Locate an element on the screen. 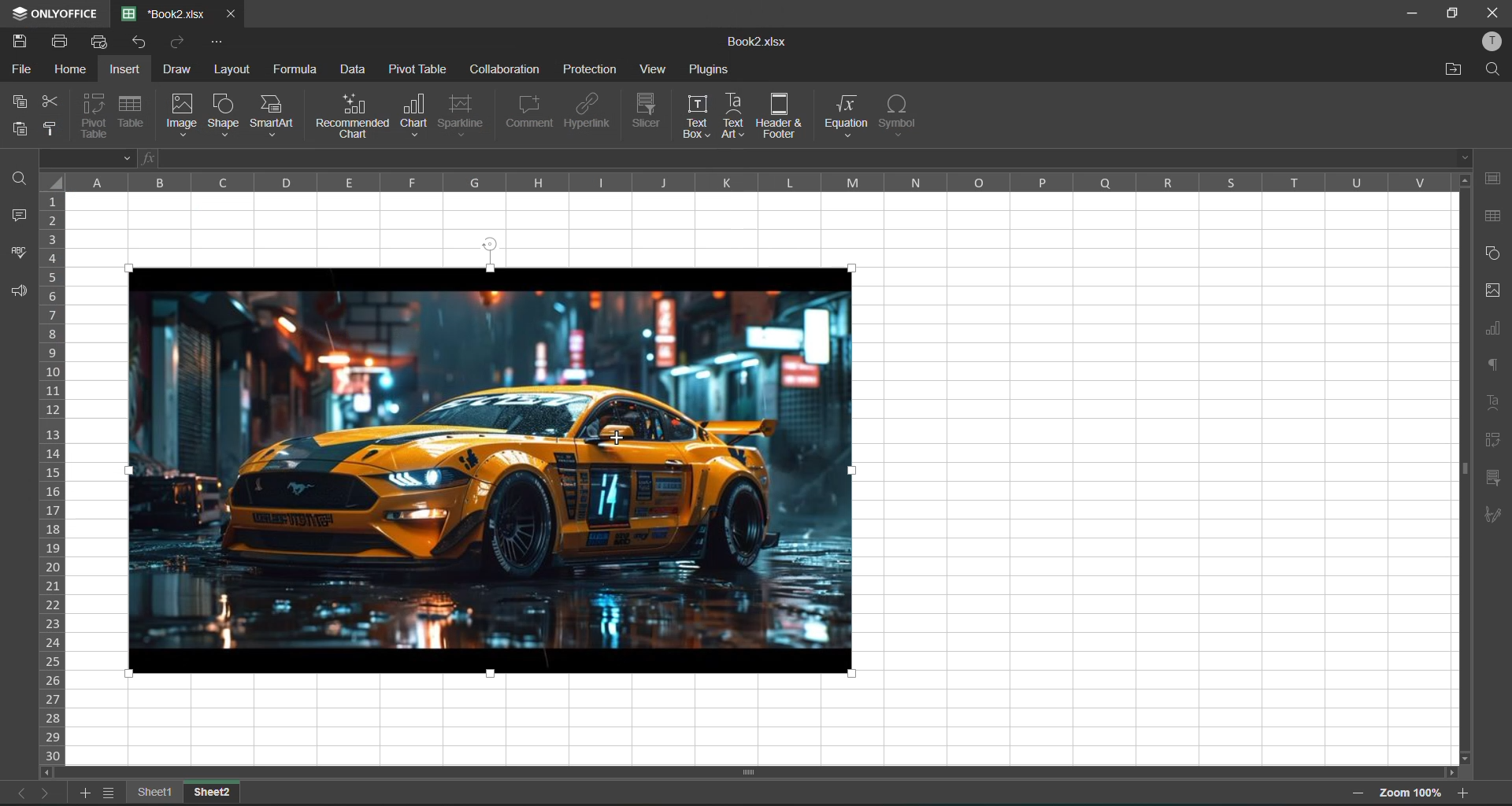 This screenshot has width=1512, height=806. hyperlink is located at coordinates (587, 112).